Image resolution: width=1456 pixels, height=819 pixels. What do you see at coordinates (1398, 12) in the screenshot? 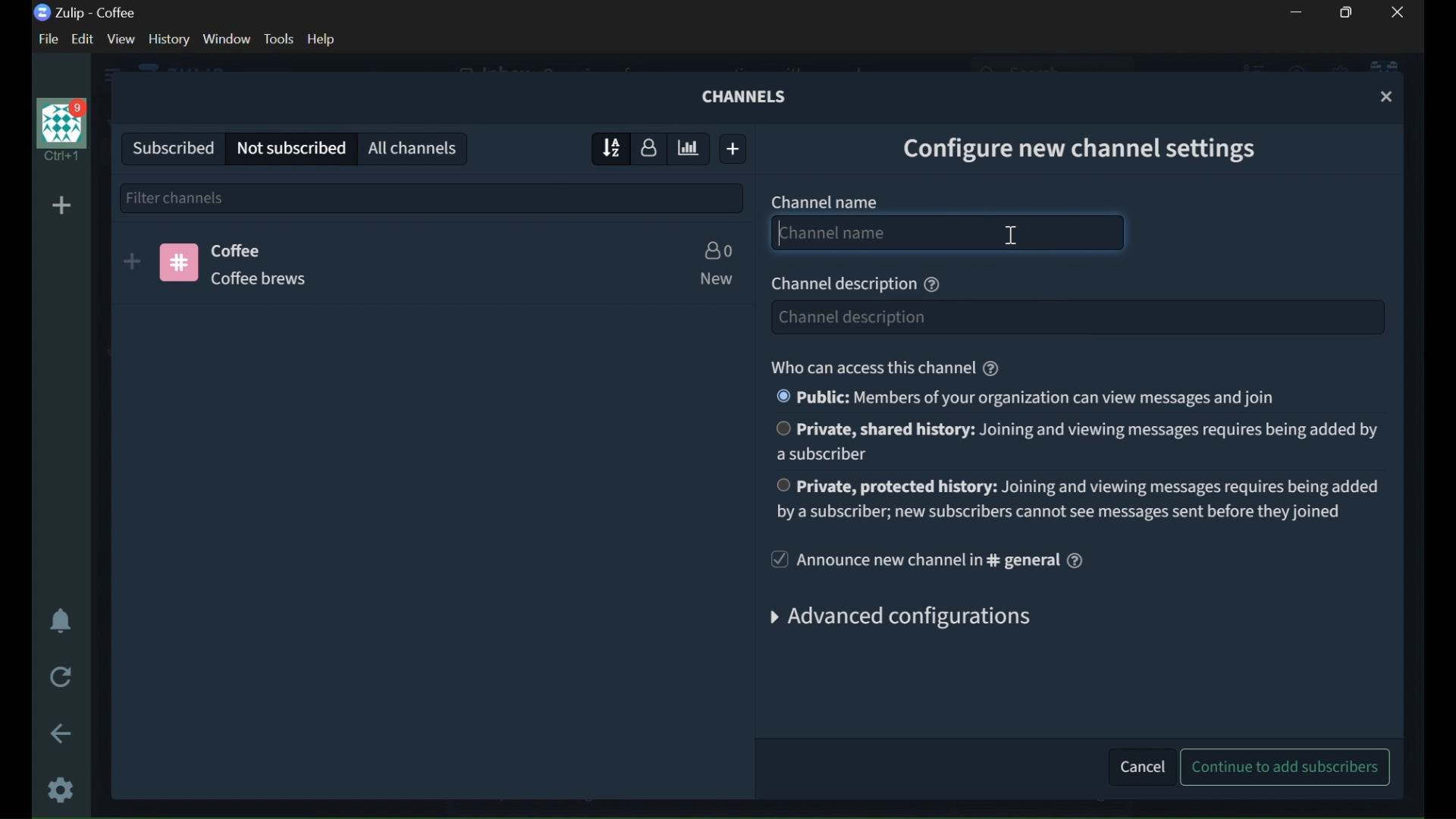
I see `CLOSE` at bounding box center [1398, 12].